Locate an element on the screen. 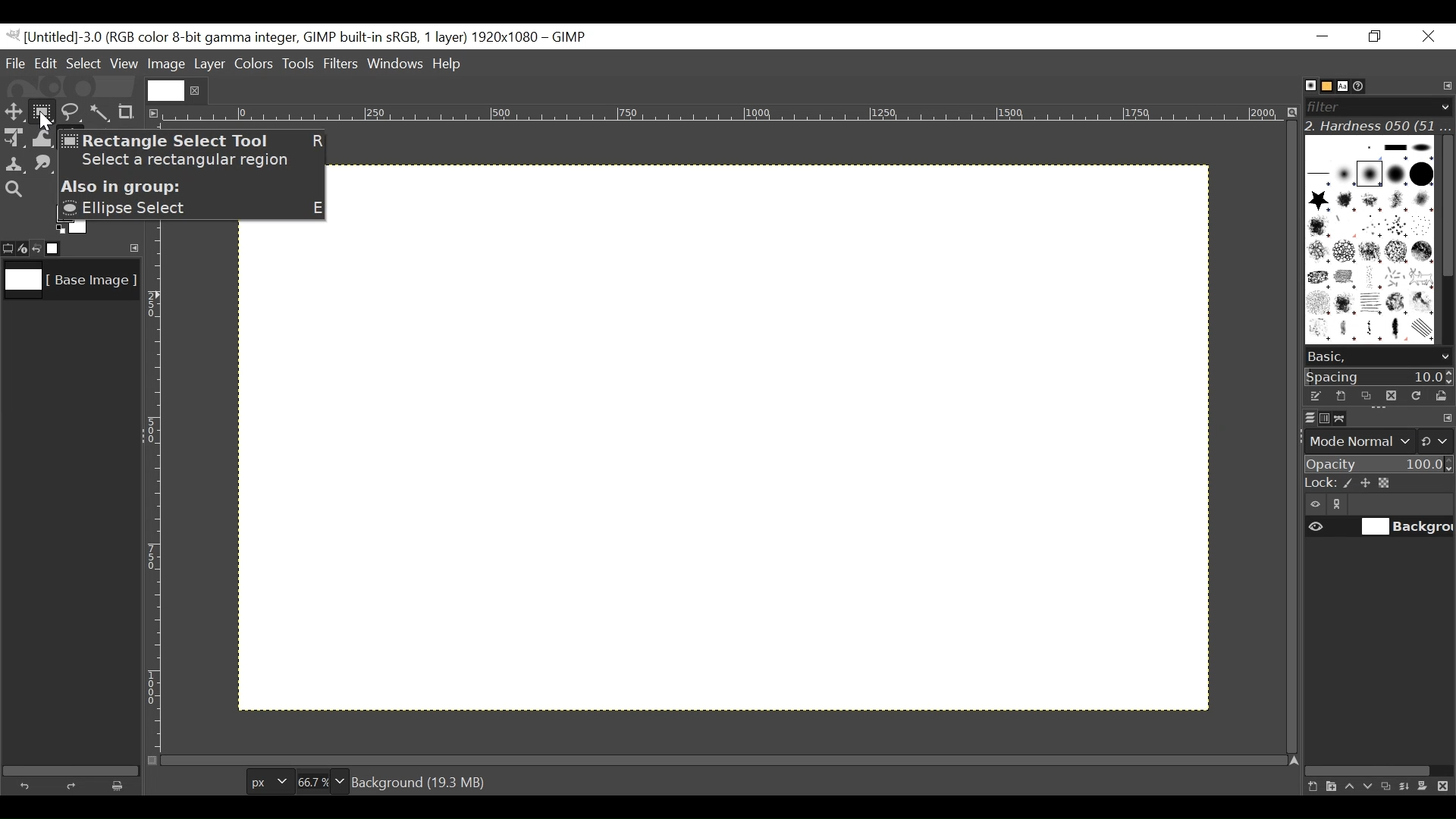 The height and width of the screenshot is (819, 1456). Background (19.3 MB) is located at coordinates (419, 782).